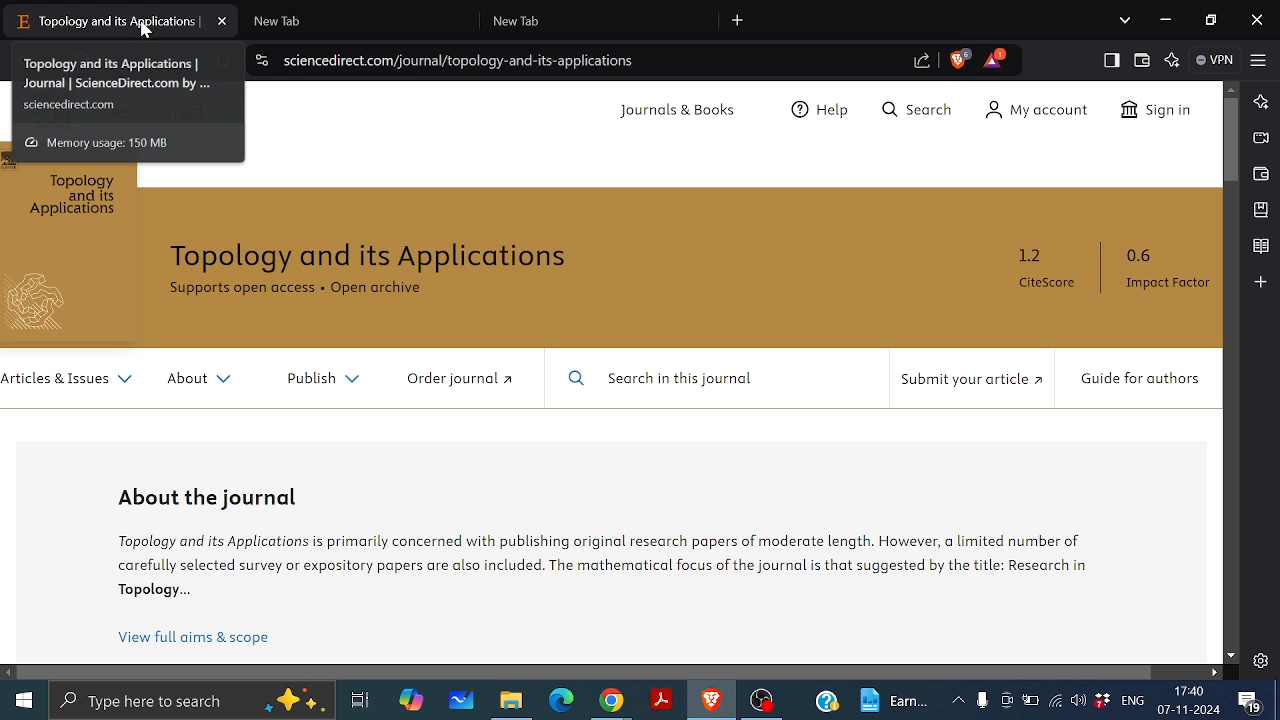 The width and height of the screenshot is (1280, 720). What do you see at coordinates (1261, 658) in the screenshot?
I see `Settings` at bounding box center [1261, 658].